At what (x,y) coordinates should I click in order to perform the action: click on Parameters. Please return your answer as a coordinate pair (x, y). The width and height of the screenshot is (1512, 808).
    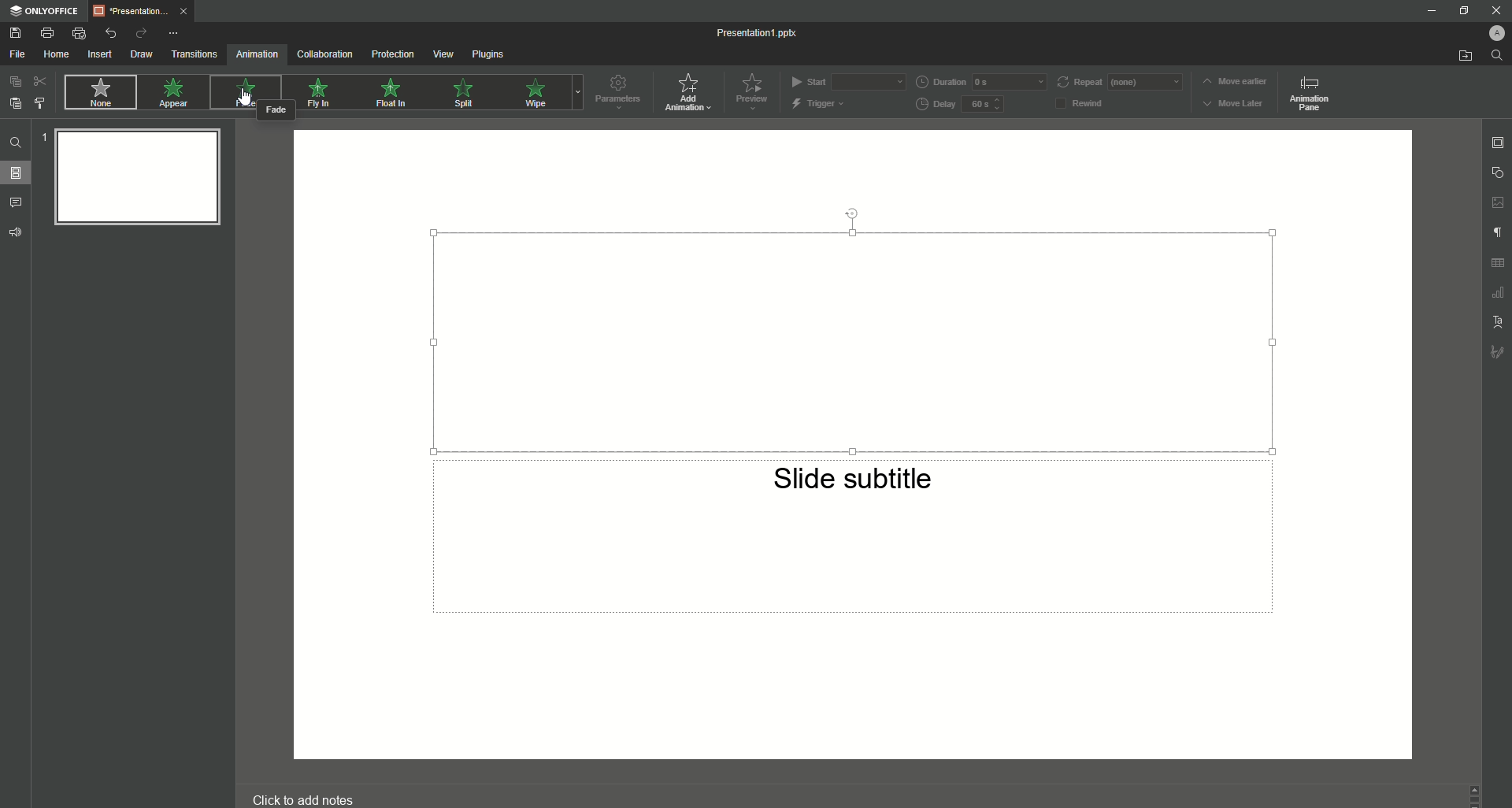
    Looking at the image, I should click on (621, 93).